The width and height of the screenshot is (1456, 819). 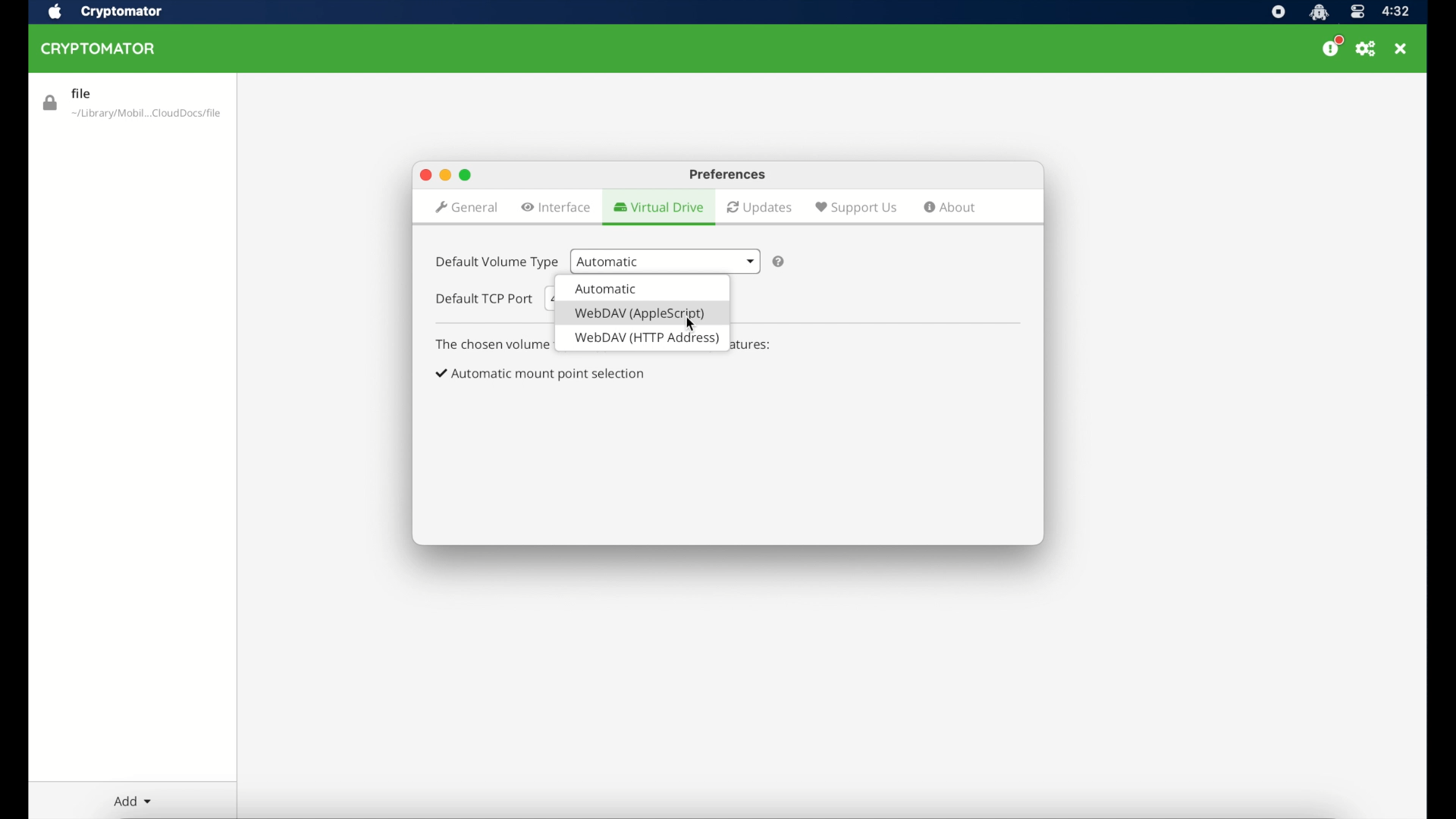 What do you see at coordinates (639, 312) in the screenshot?
I see `volume type` at bounding box center [639, 312].